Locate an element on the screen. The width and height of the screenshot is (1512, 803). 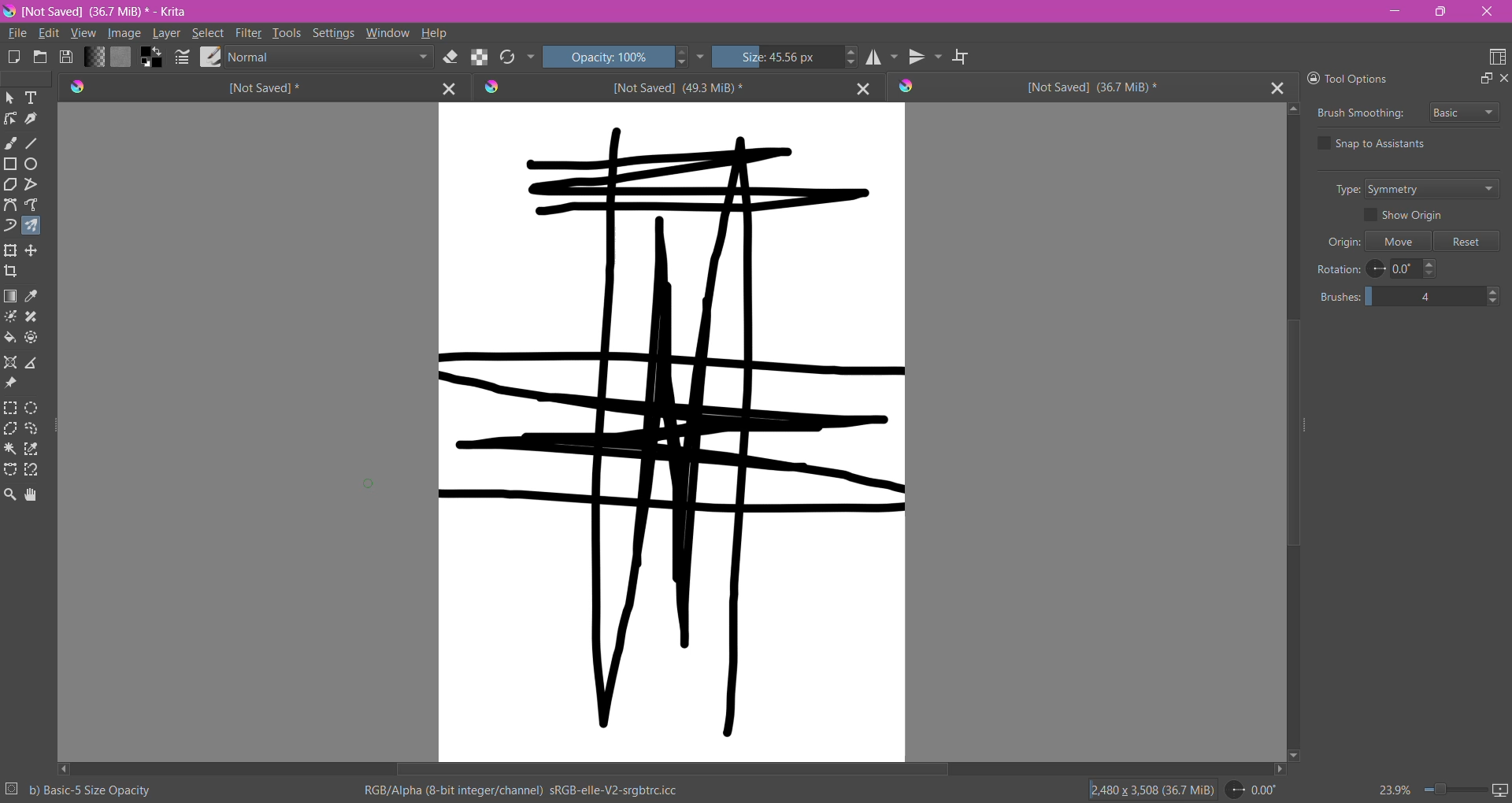
Polyline Tool is located at coordinates (31, 184).